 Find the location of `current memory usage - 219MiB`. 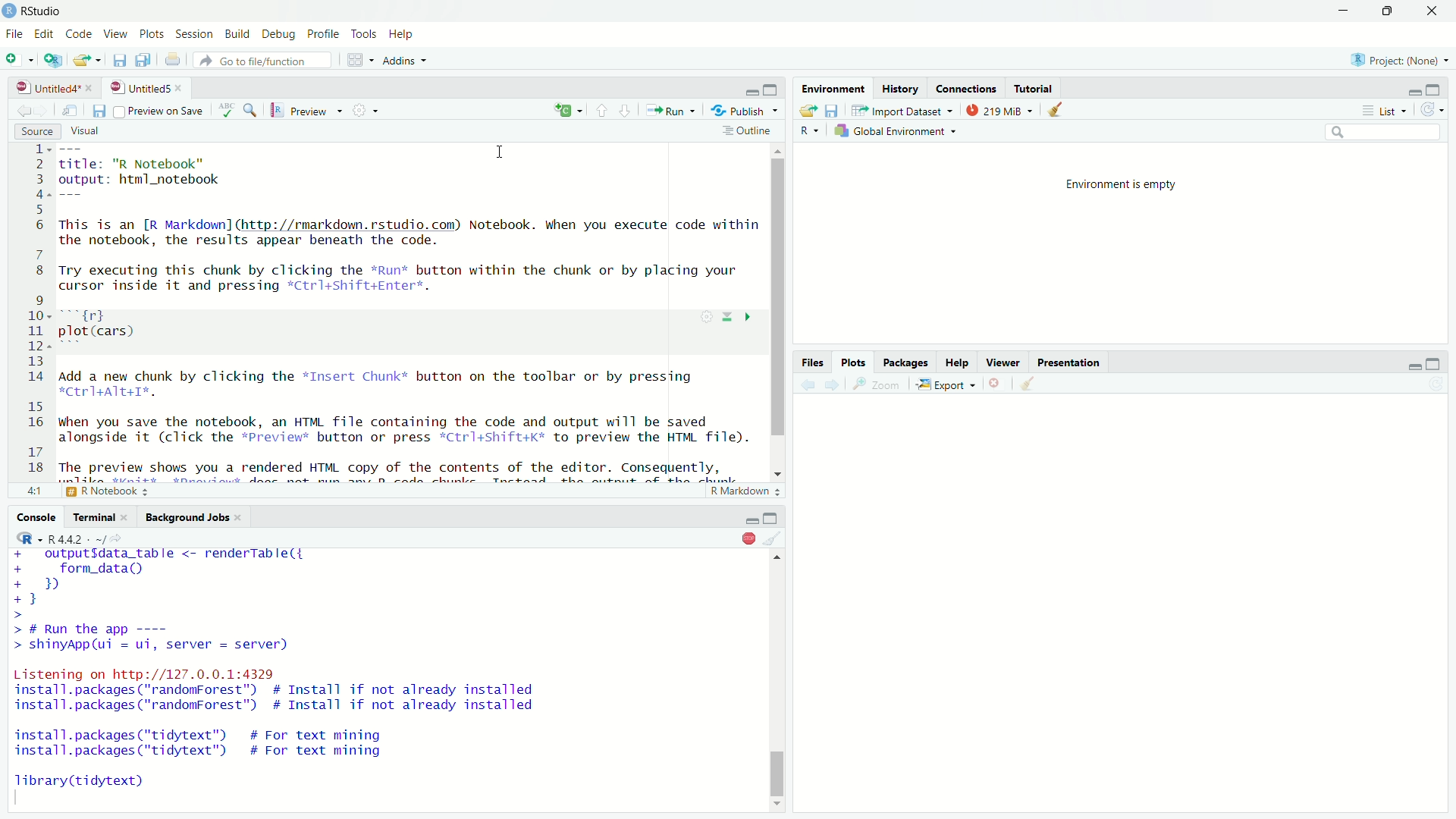

current memory usage - 219MiB is located at coordinates (1001, 111).